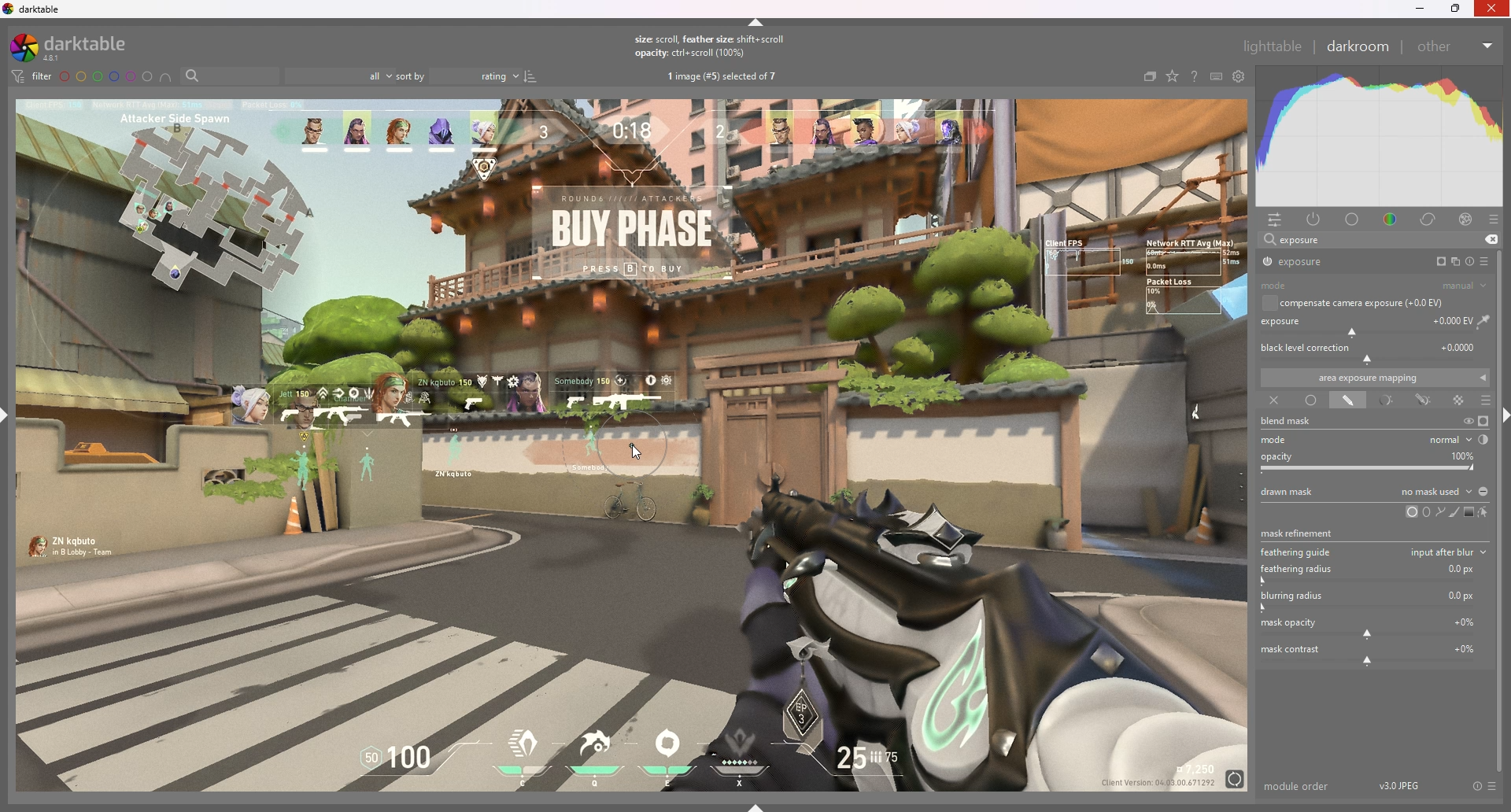 The image size is (1511, 812). What do you see at coordinates (1375, 378) in the screenshot?
I see `area exposure mapping` at bounding box center [1375, 378].